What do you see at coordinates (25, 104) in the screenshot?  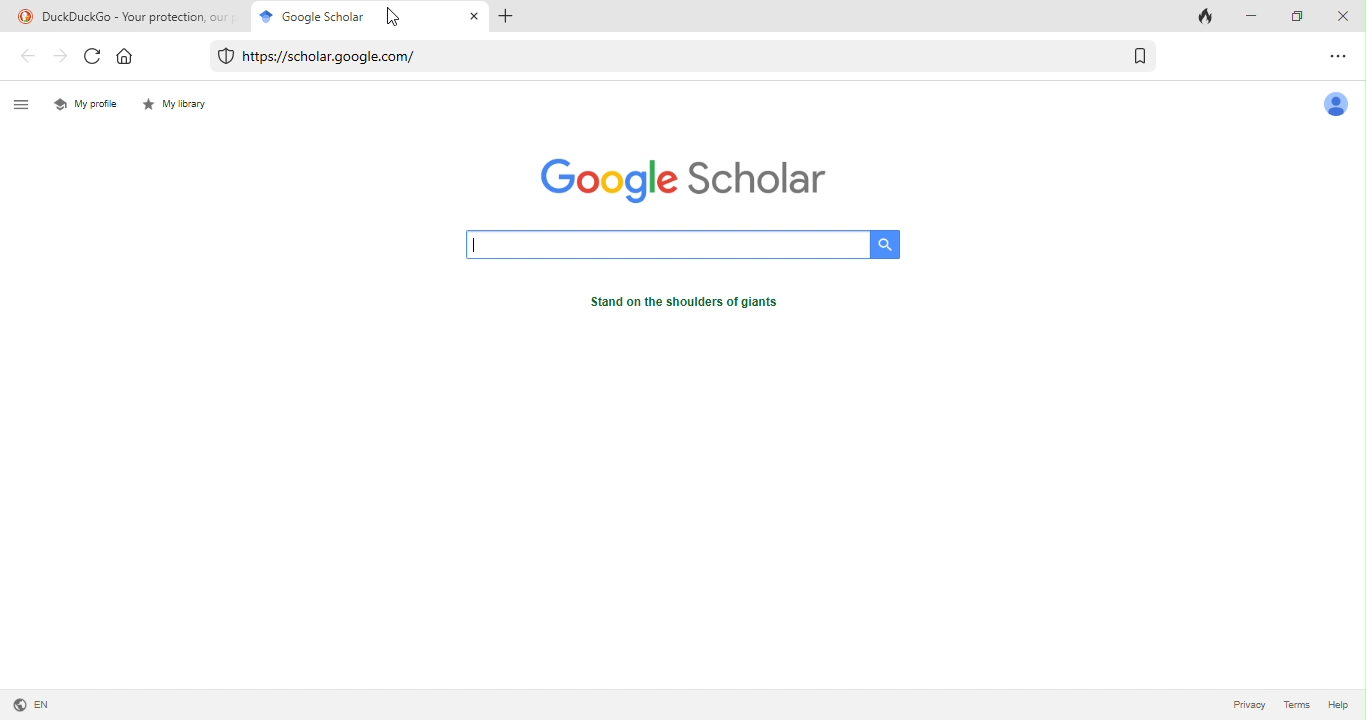 I see `menu` at bounding box center [25, 104].